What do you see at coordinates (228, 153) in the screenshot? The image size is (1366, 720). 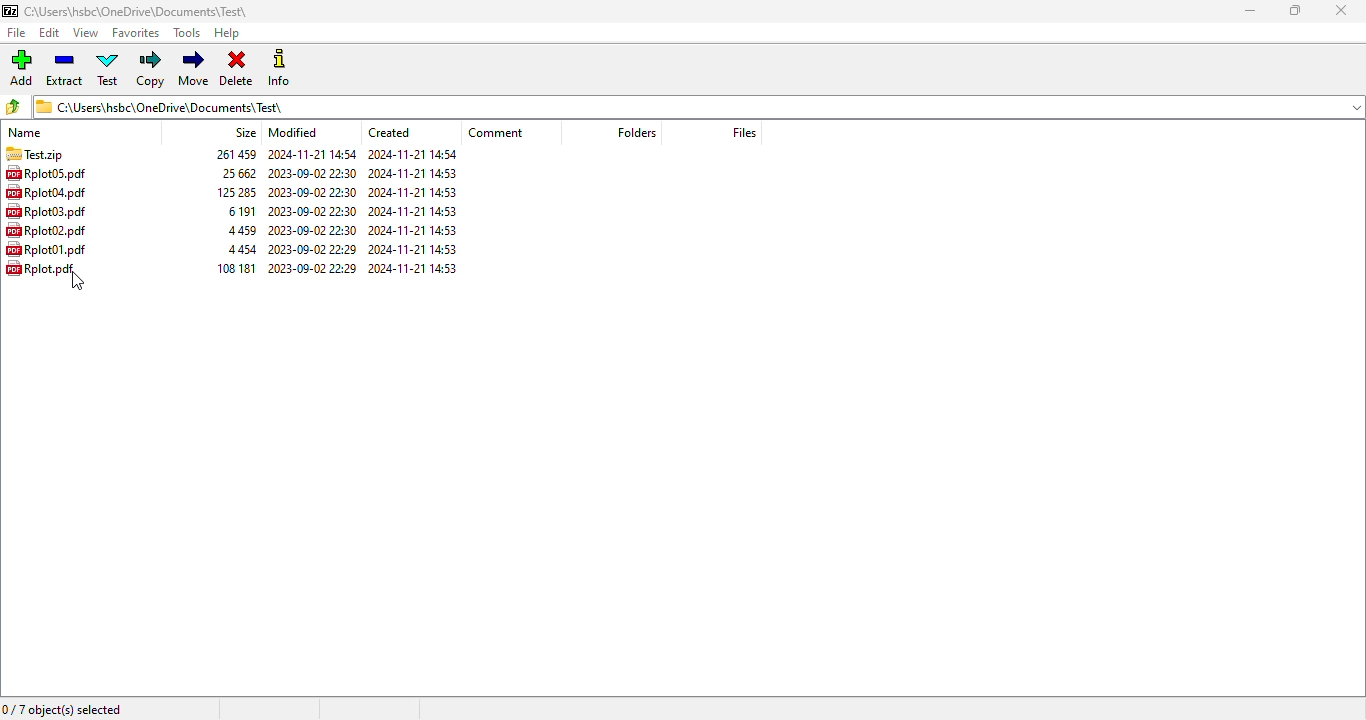 I see `26145` at bounding box center [228, 153].